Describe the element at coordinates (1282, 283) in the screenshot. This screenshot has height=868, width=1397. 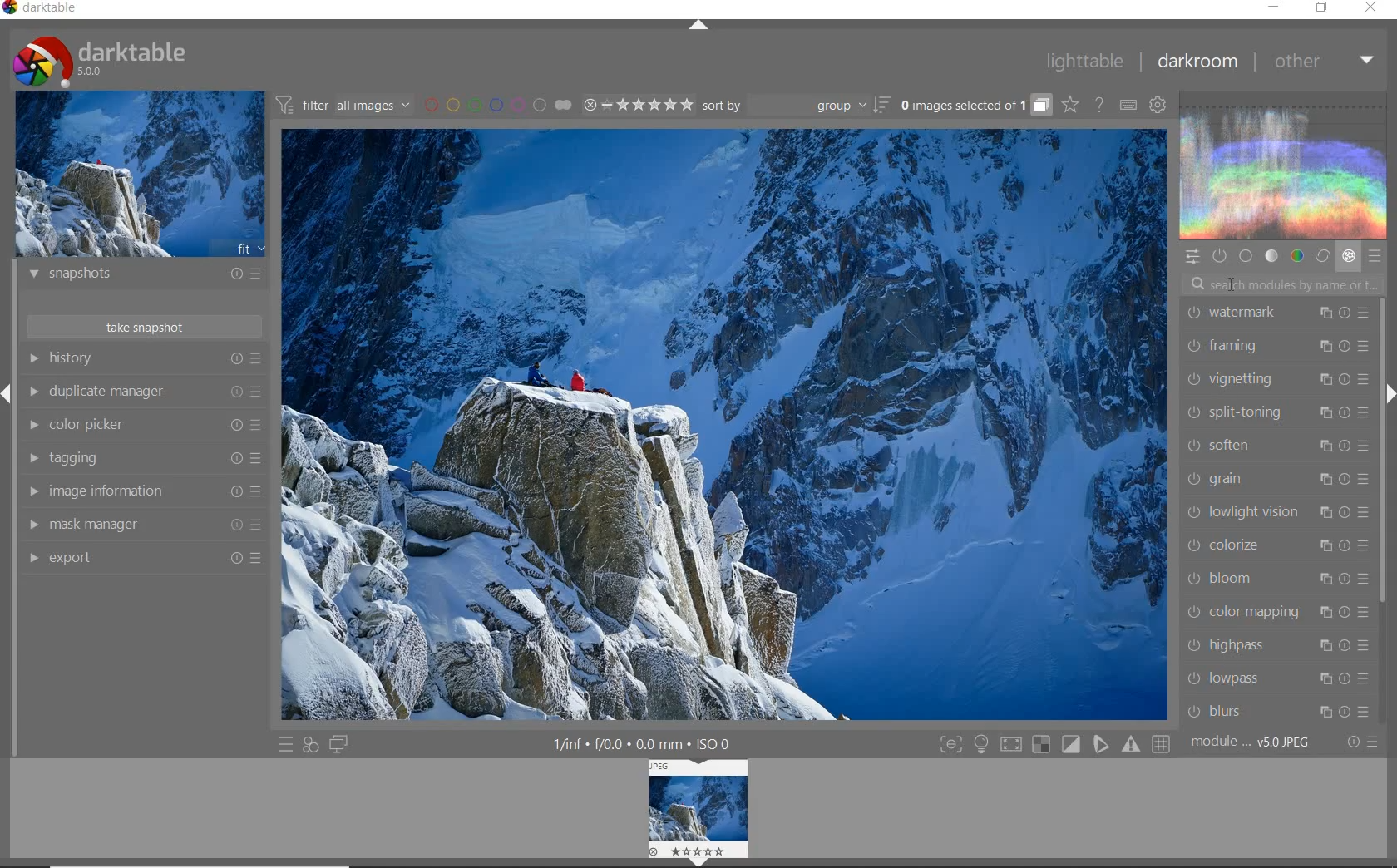
I see `search modules by name` at that location.